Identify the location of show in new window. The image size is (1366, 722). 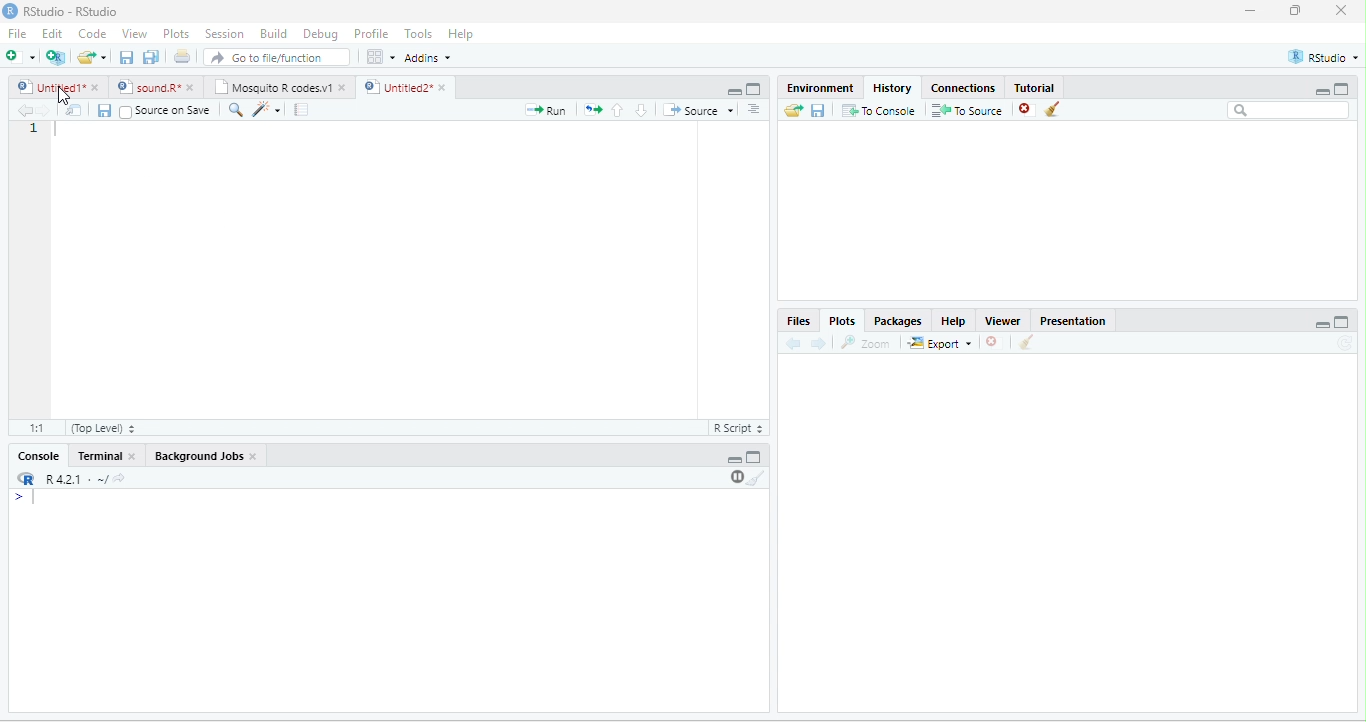
(75, 110).